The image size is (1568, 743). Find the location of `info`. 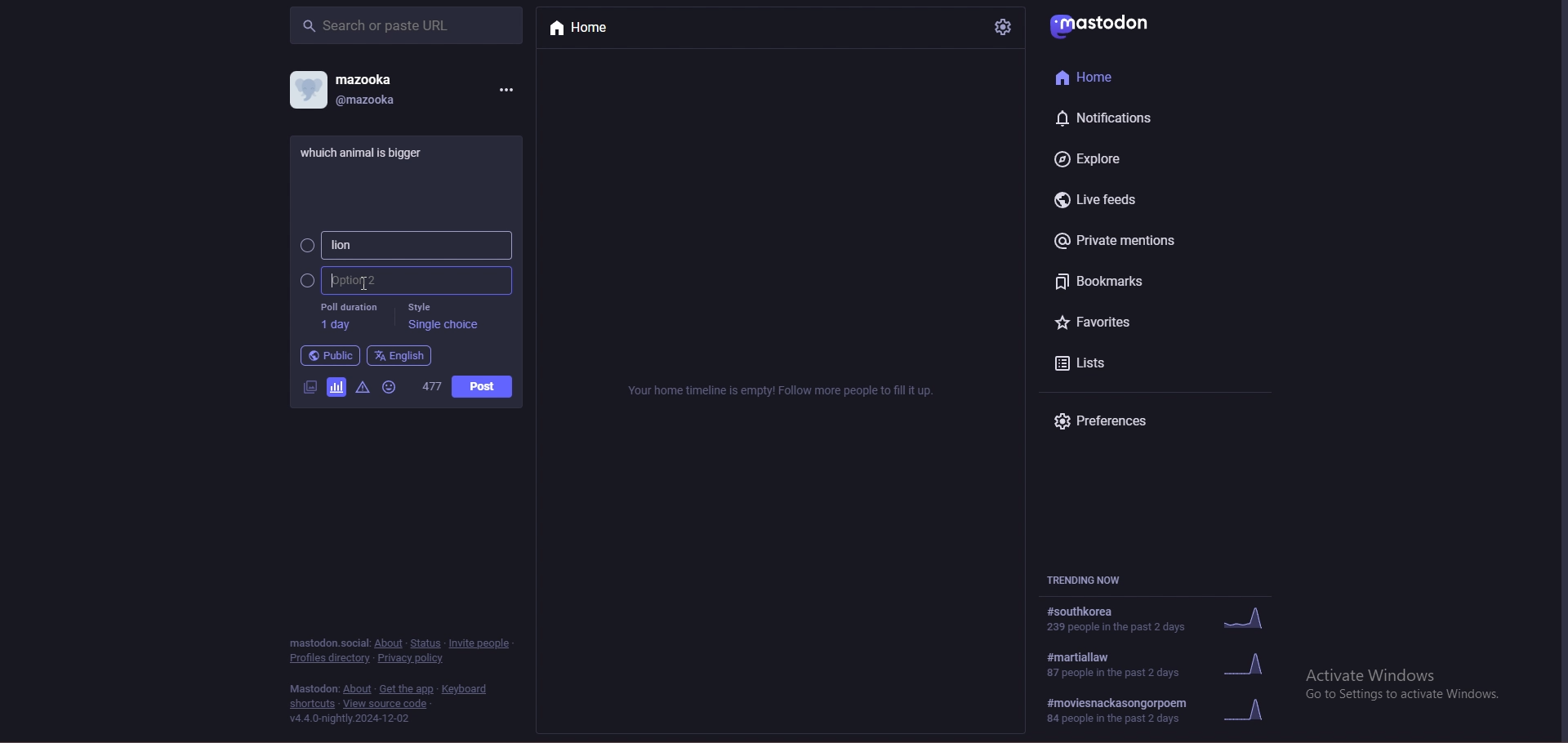

info is located at coordinates (783, 390).